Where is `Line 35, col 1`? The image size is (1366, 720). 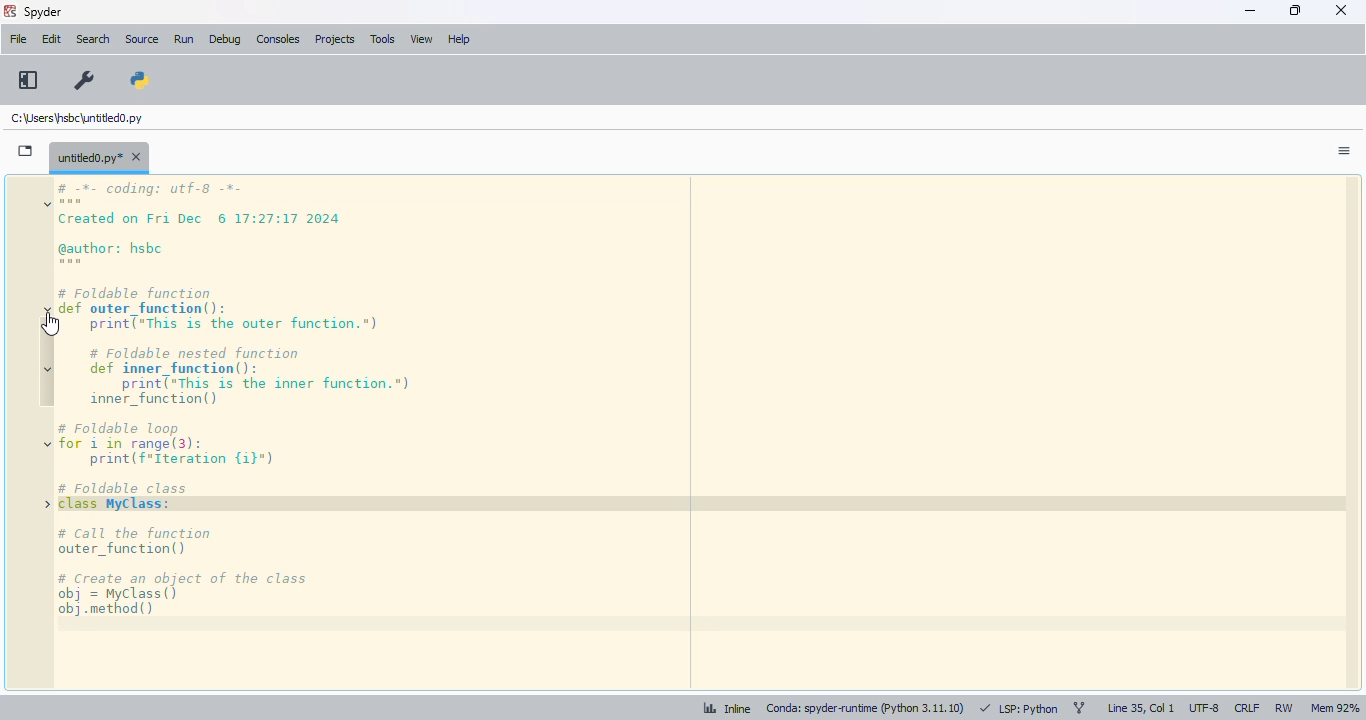 Line 35, col 1 is located at coordinates (1141, 709).